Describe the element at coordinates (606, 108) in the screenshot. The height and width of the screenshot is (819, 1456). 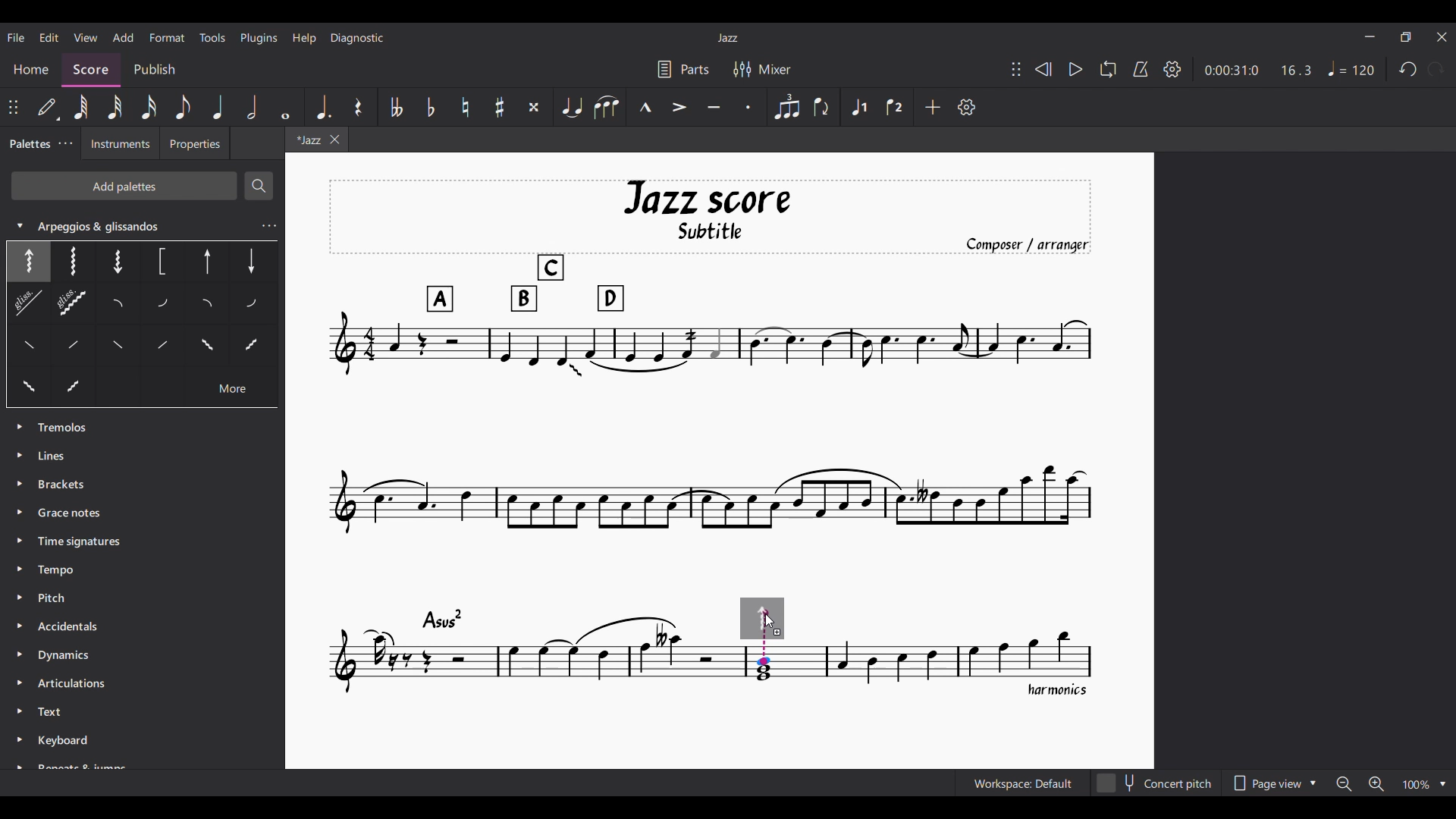
I see `Slur` at that location.